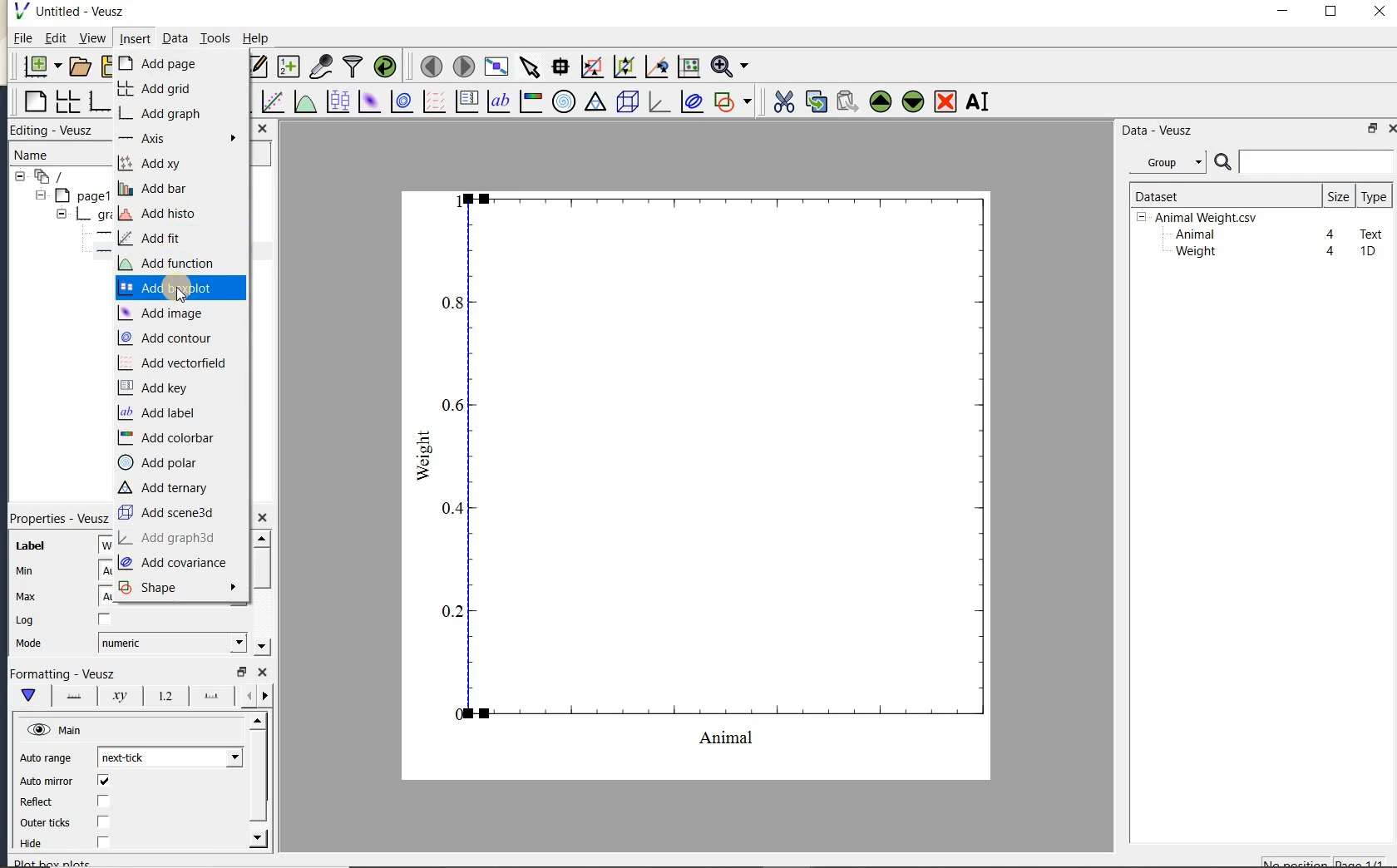 Image resolution: width=1397 pixels, height=868 pixels. Describe the element at coordinates (368, 101) in the screenshot. I see `plot a 2d dataset as an image` at that location.